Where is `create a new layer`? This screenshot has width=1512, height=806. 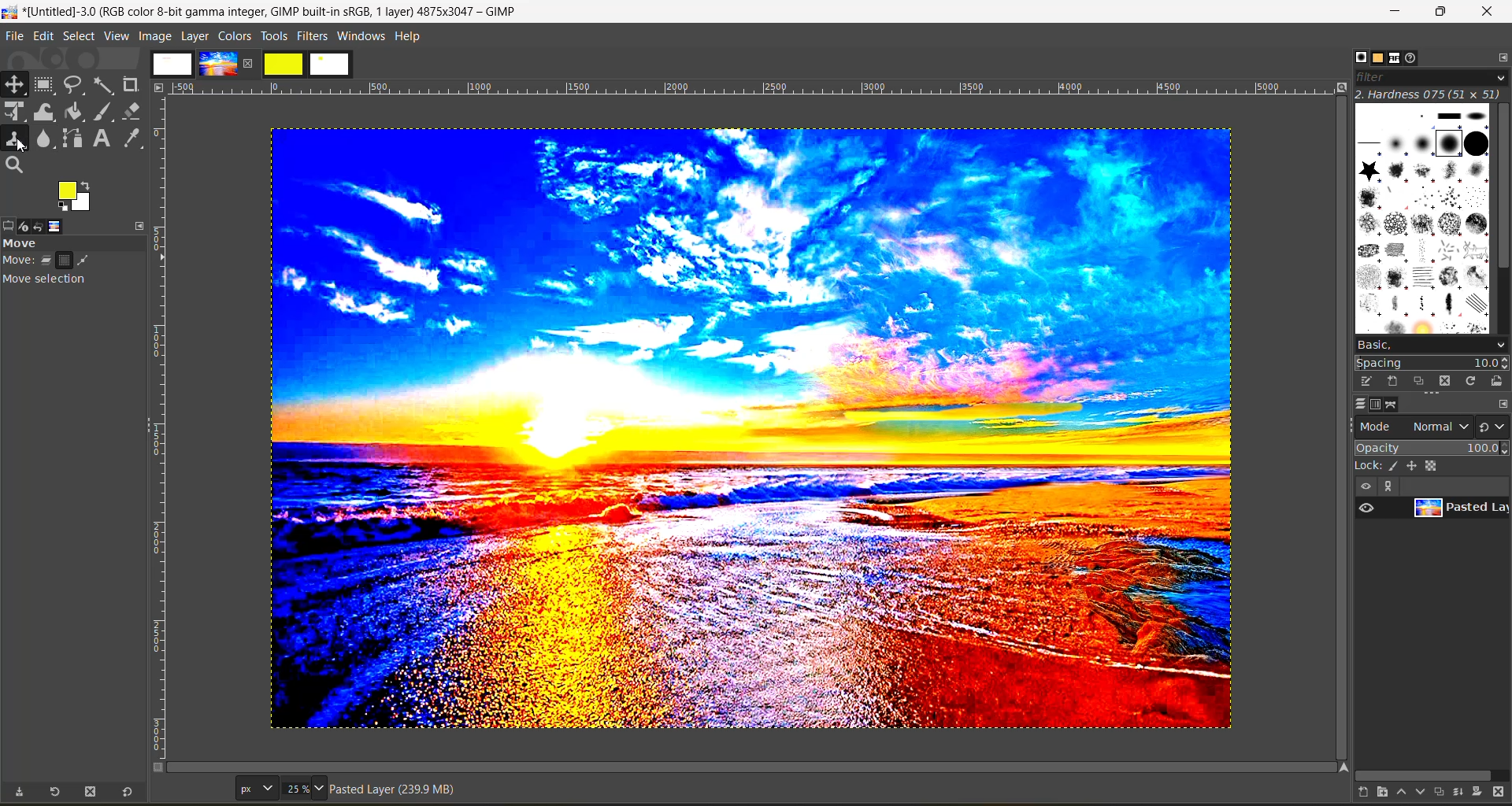
create a new layer is located at coordinates (1354, 793).